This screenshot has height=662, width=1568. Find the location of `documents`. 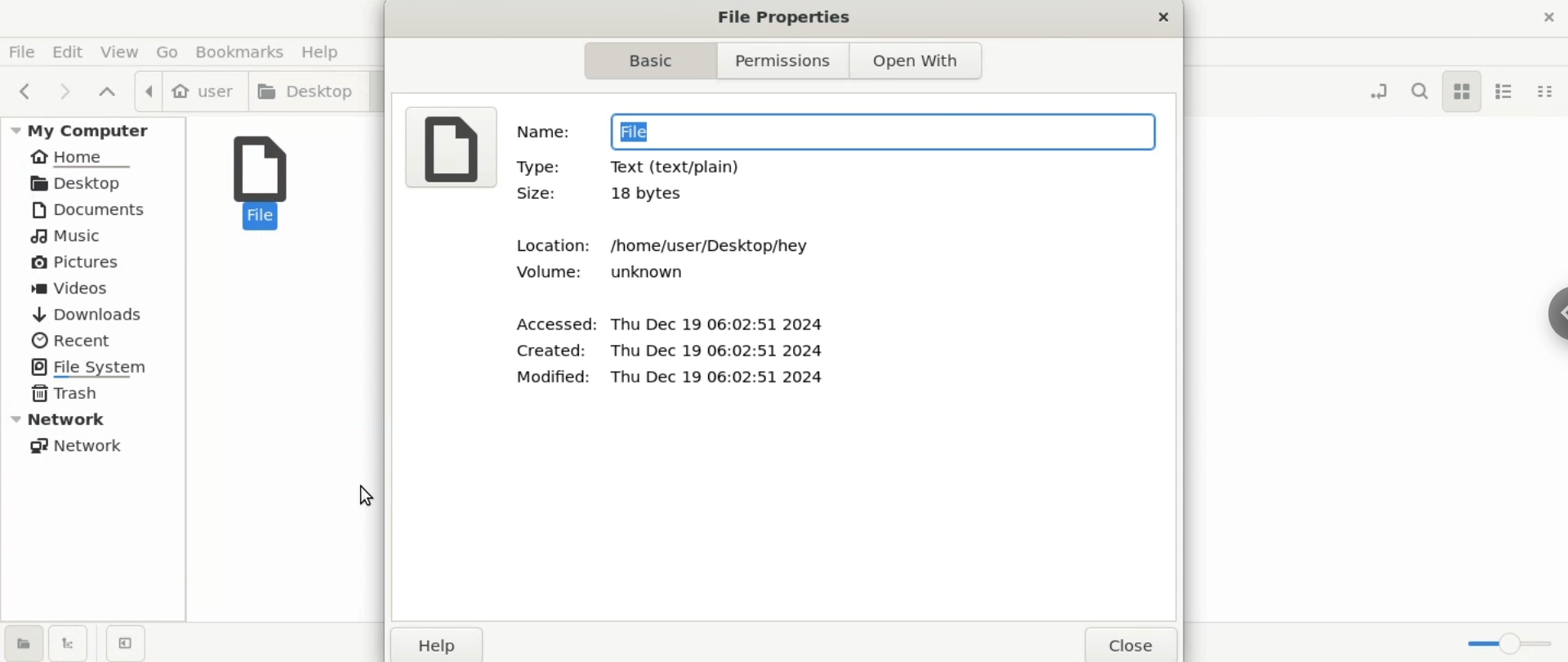

documents is located at coordinates (93, 211).